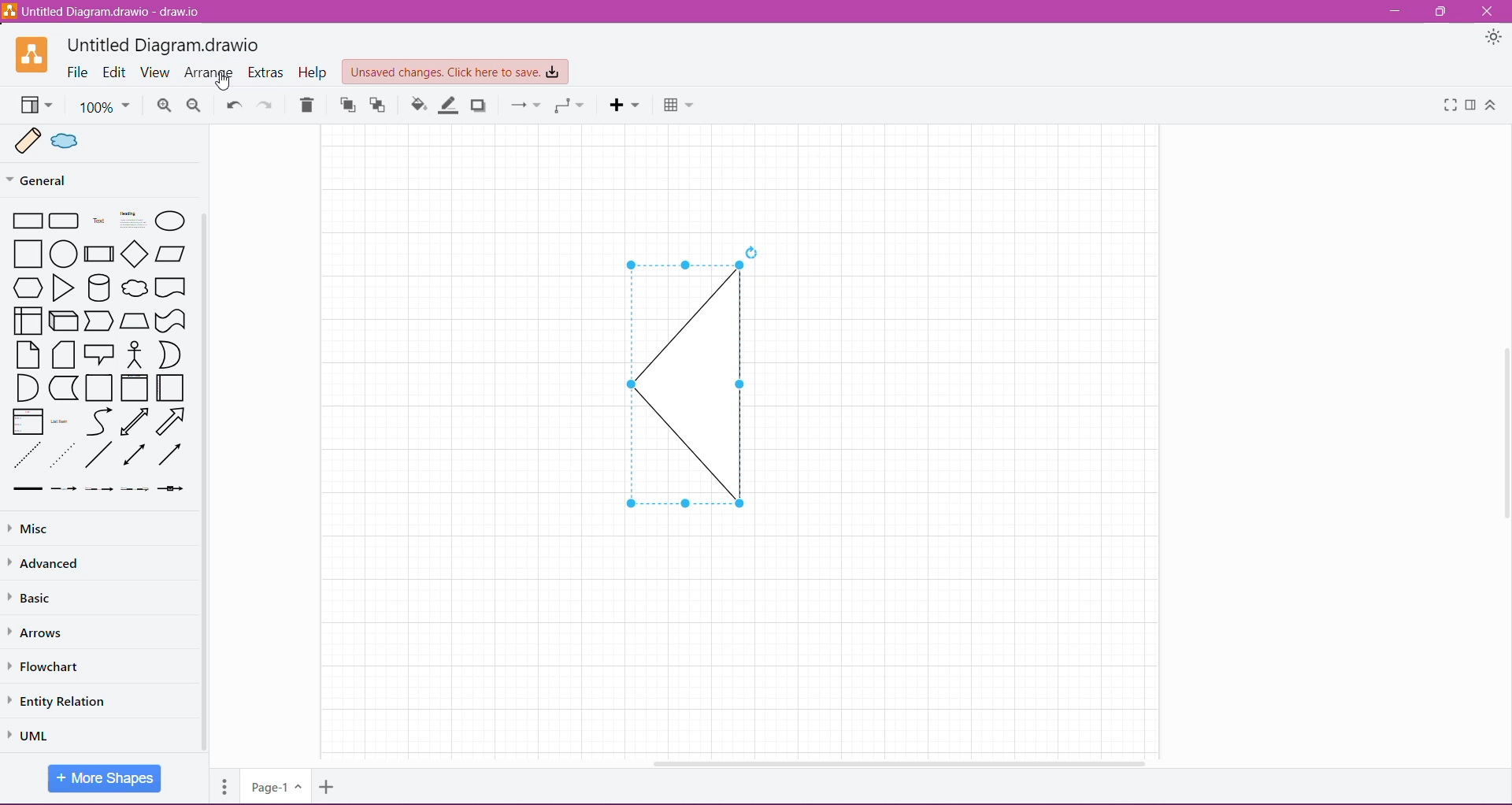 This screenshot has width=1512, height=805. What do you see at coordinates (891, 759) in the screenshot?
I see `Horizontal Scroll Bar` at bounding box center [891, 759].